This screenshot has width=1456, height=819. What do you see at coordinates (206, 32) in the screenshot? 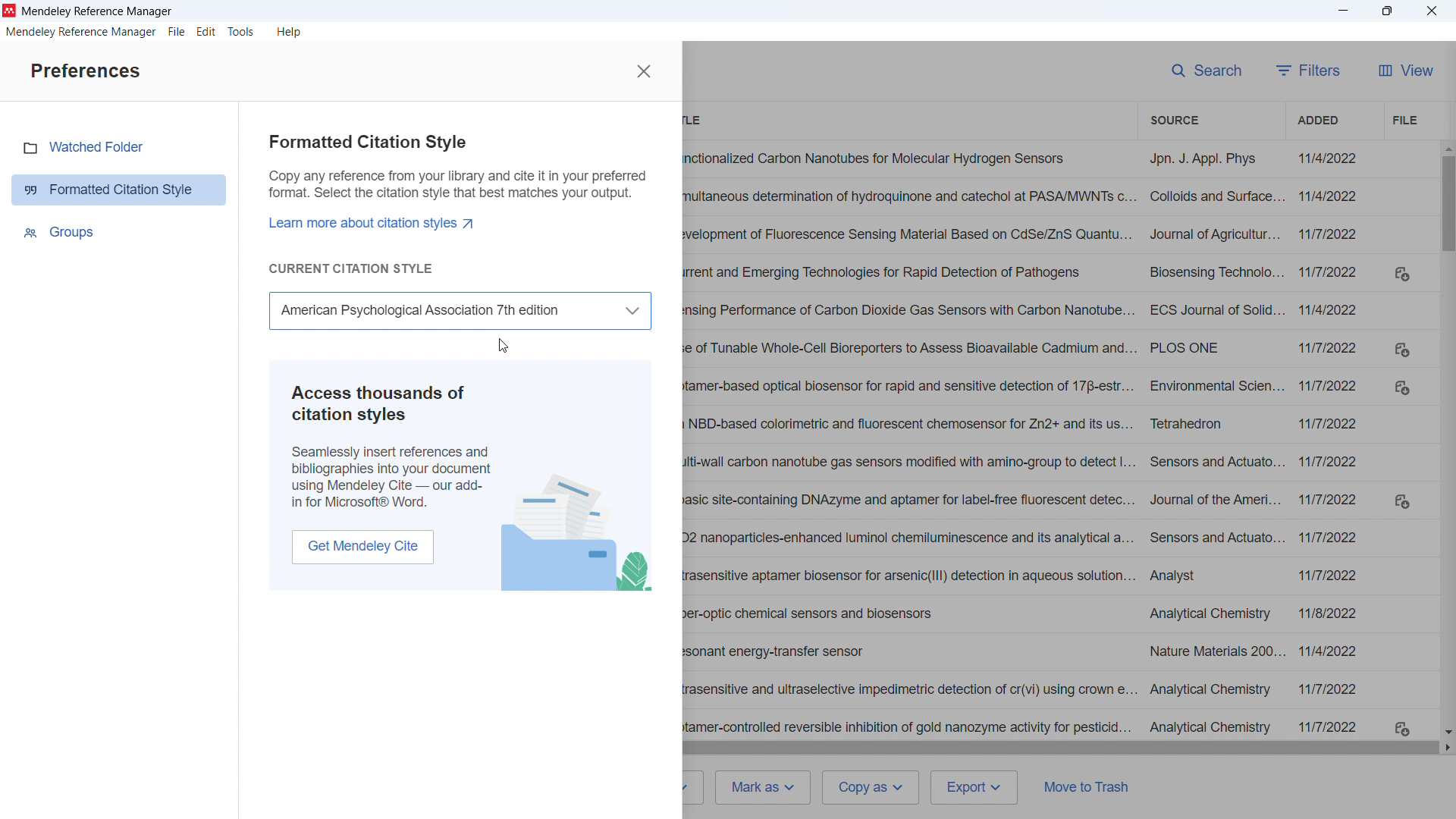
I see `edit` at bounding box center [206, 32].